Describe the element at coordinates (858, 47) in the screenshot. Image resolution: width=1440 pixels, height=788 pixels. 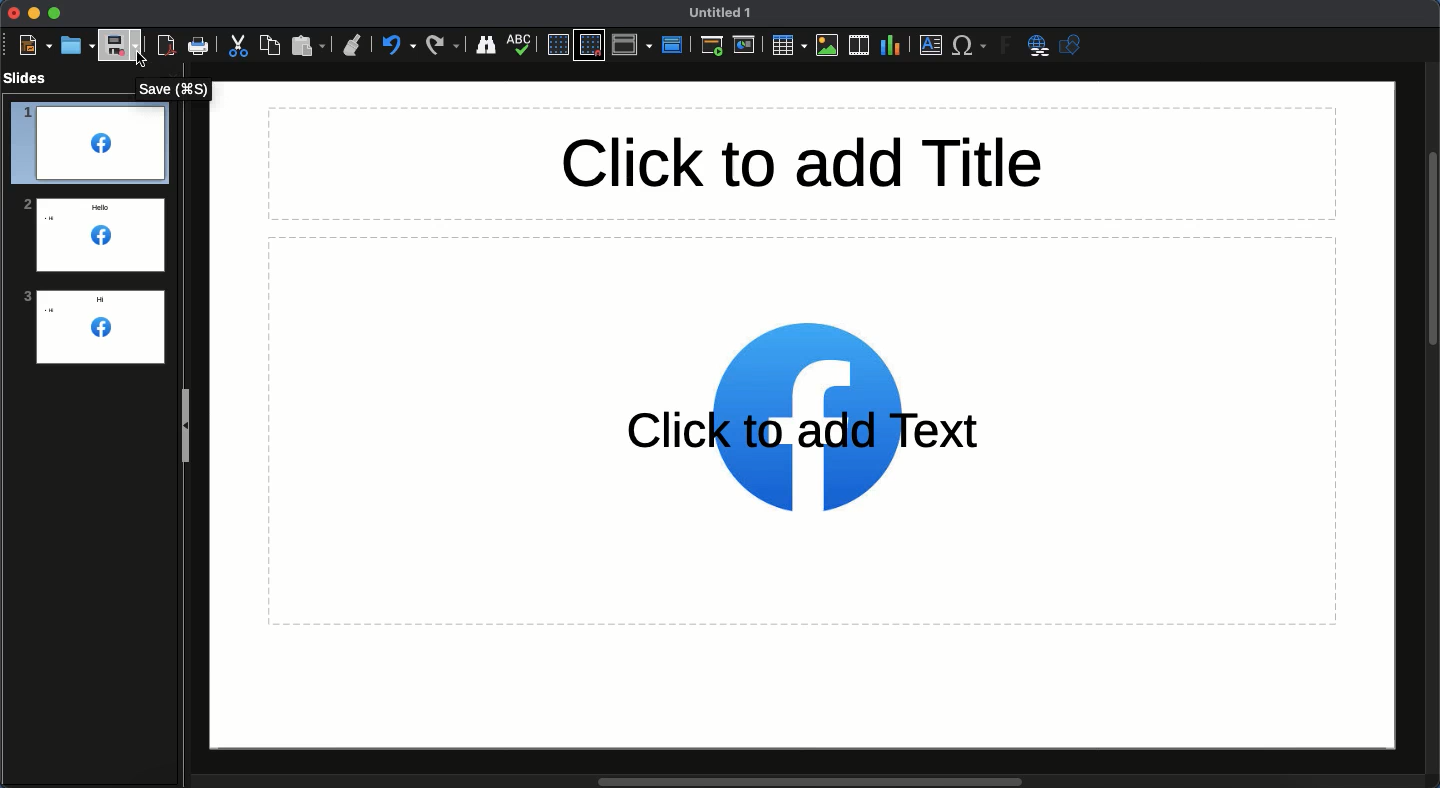
I see `Audio or video` at that location.